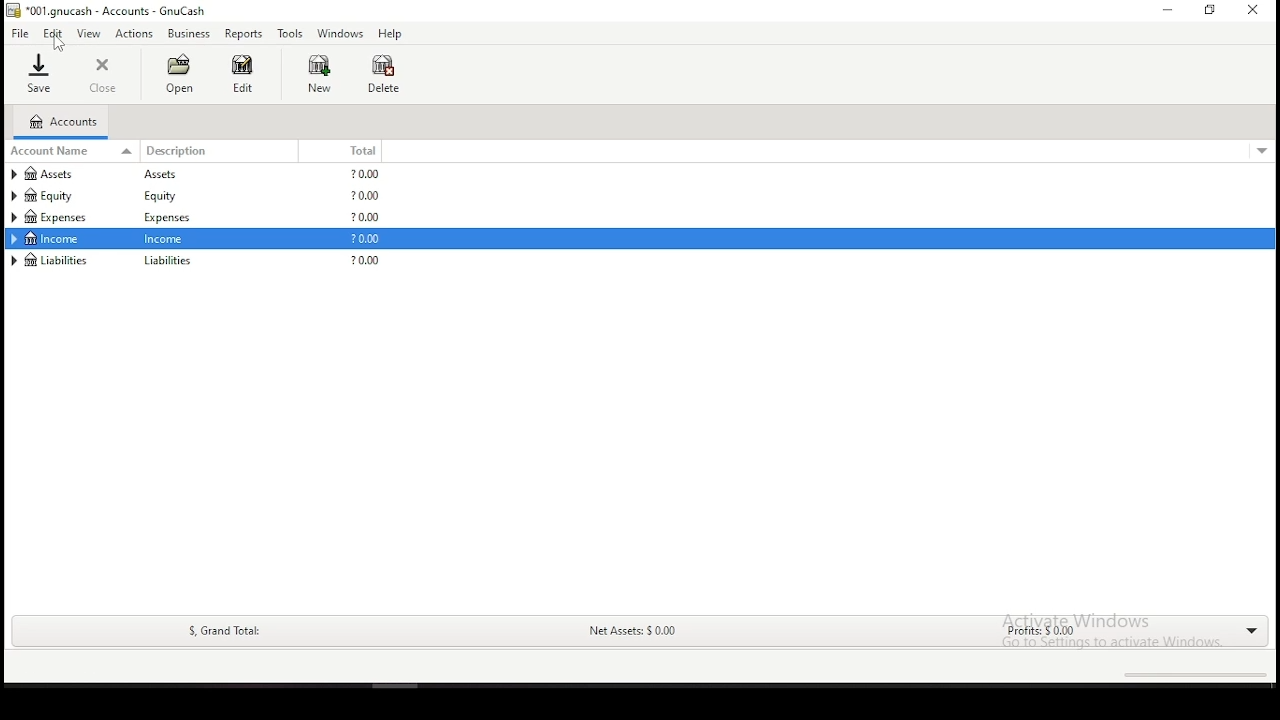 This screenshot has width=1280, height=720. What do you see at coordinates (66, 174) in the screenshot?
I see `assets` at bounding box center [66, 174].